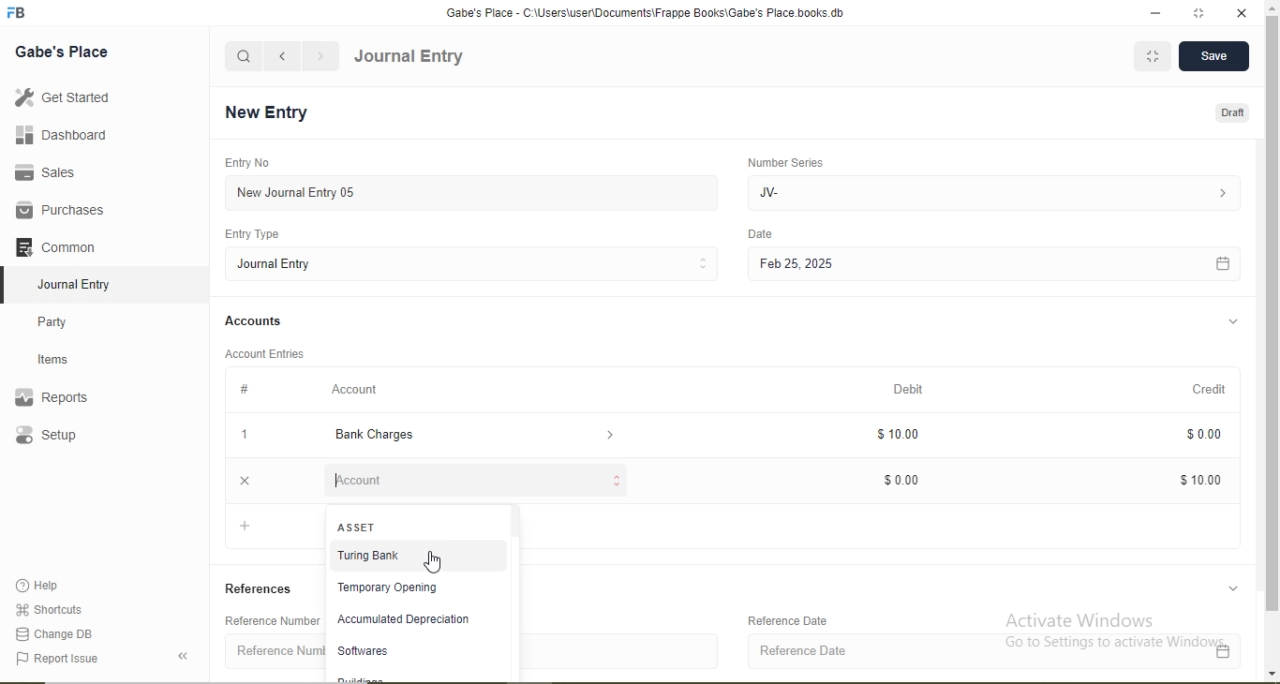  Describe the element at coordinates (360, 527) in the screenshot. I see `ASSET` at that location.